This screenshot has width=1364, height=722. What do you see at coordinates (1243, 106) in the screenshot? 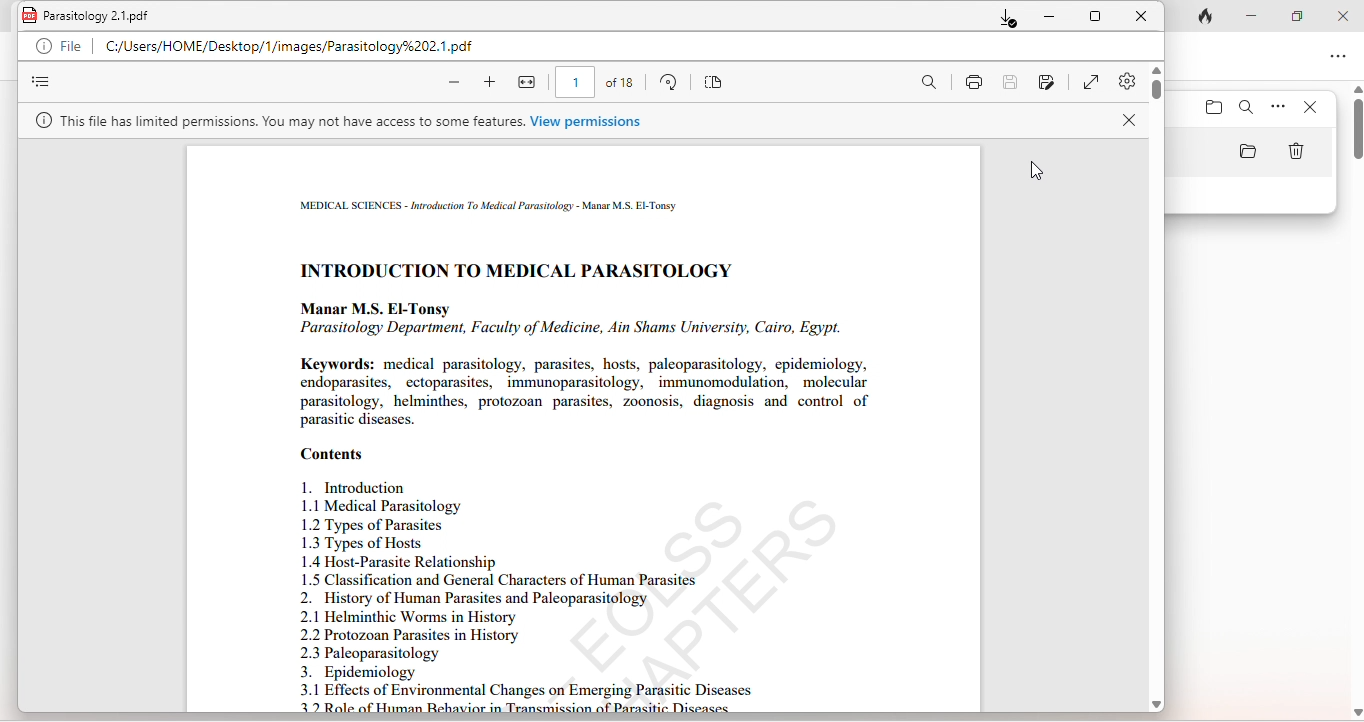
I see `search` at bounding box center [1243, 106].